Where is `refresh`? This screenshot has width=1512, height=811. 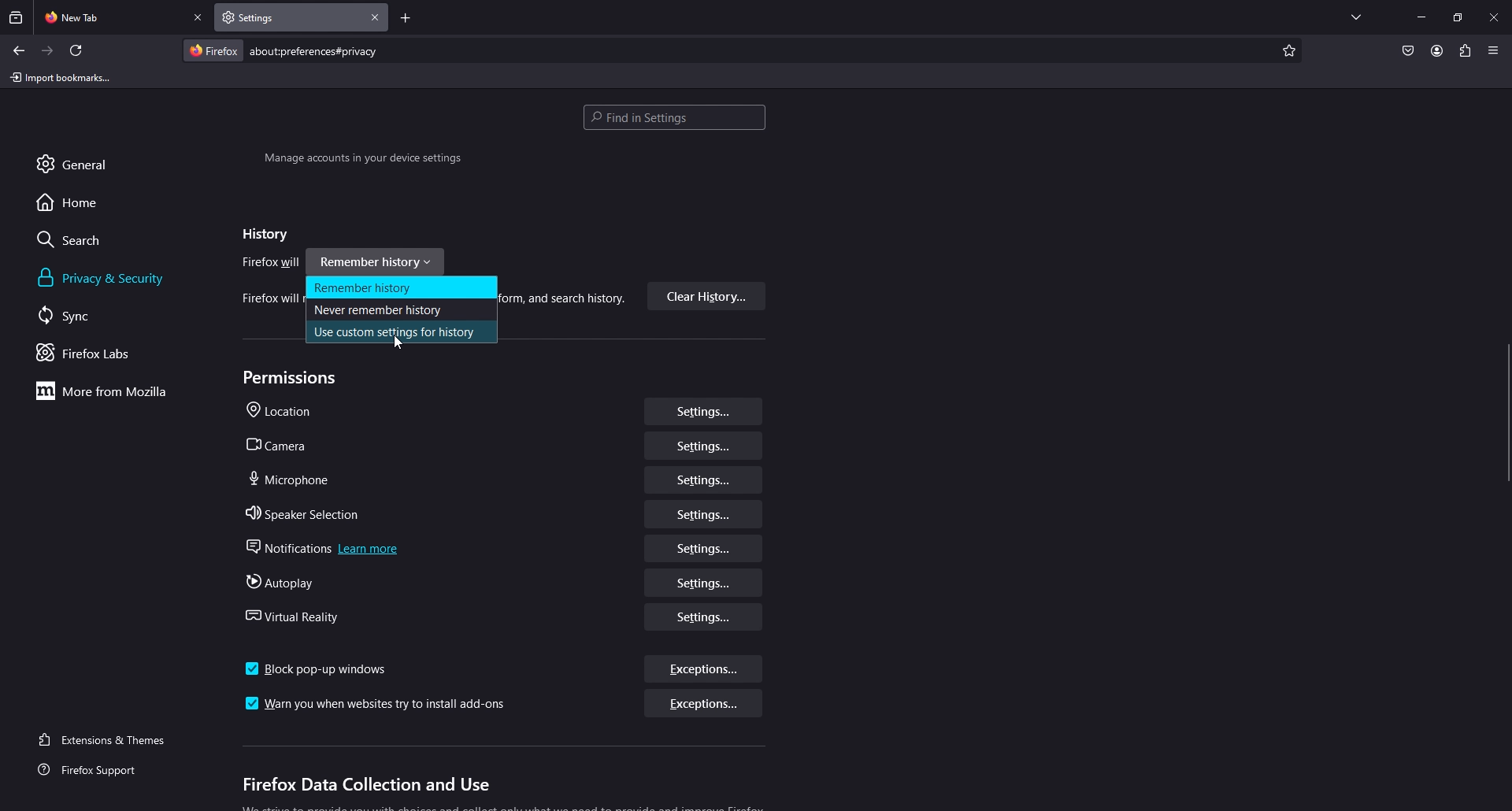 refresh is located at coordinates (76, 50).